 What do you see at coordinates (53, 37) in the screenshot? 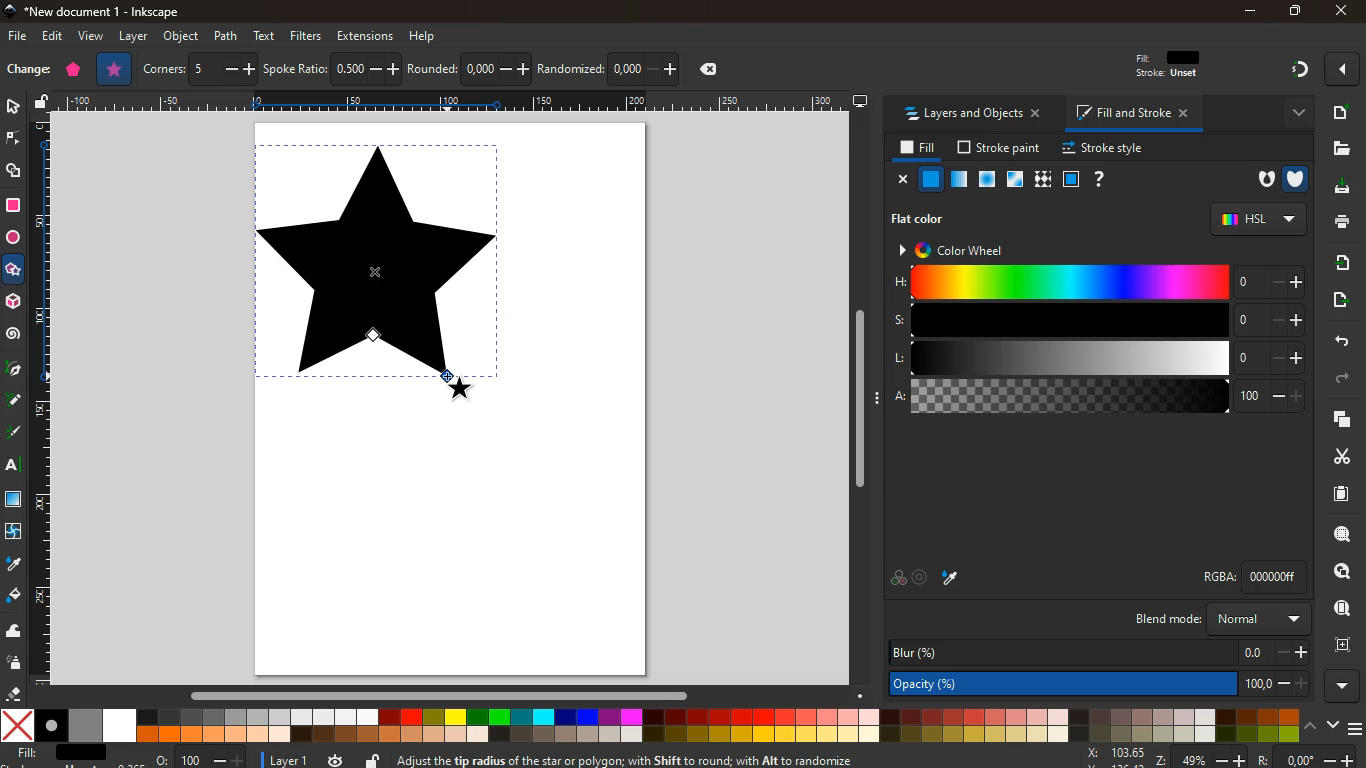
I see `edit` at bounding box center [53, 37].